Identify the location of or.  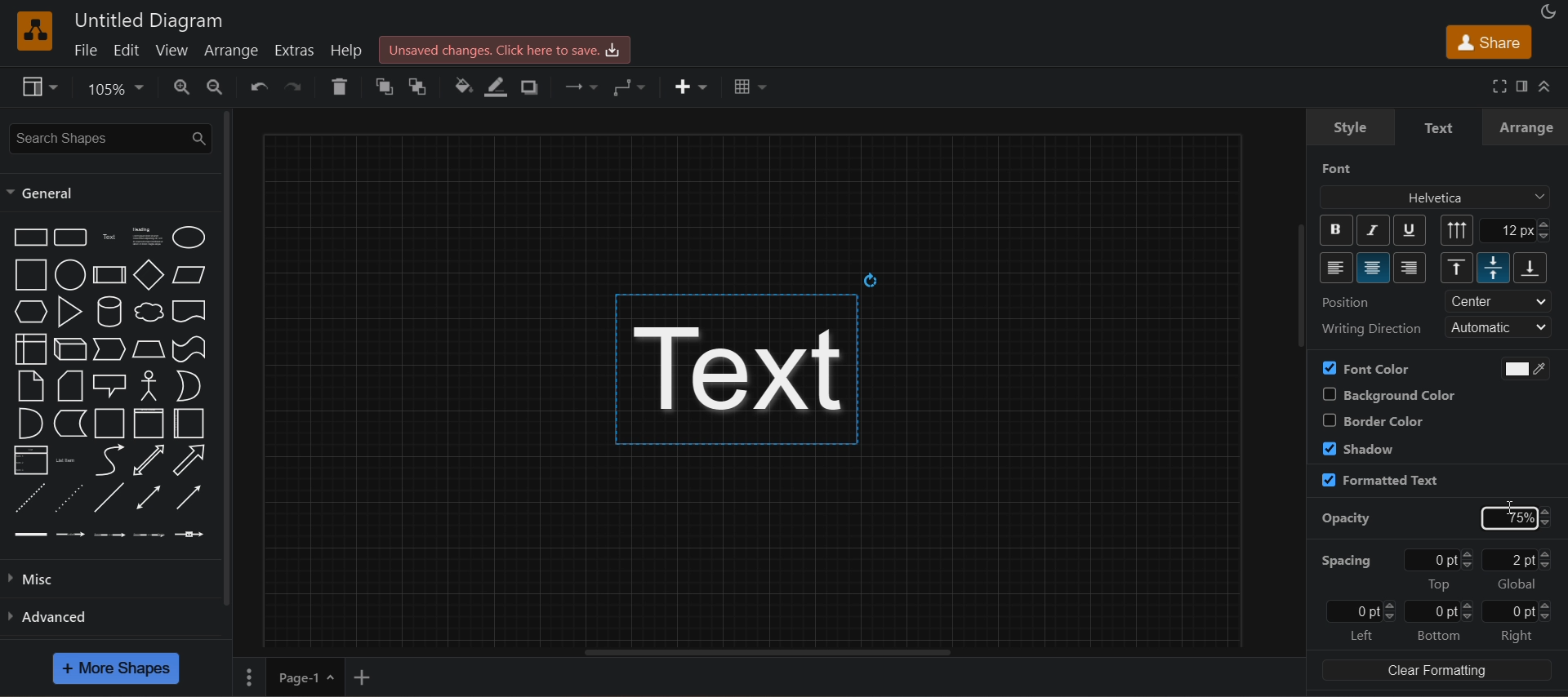
(189, 386).